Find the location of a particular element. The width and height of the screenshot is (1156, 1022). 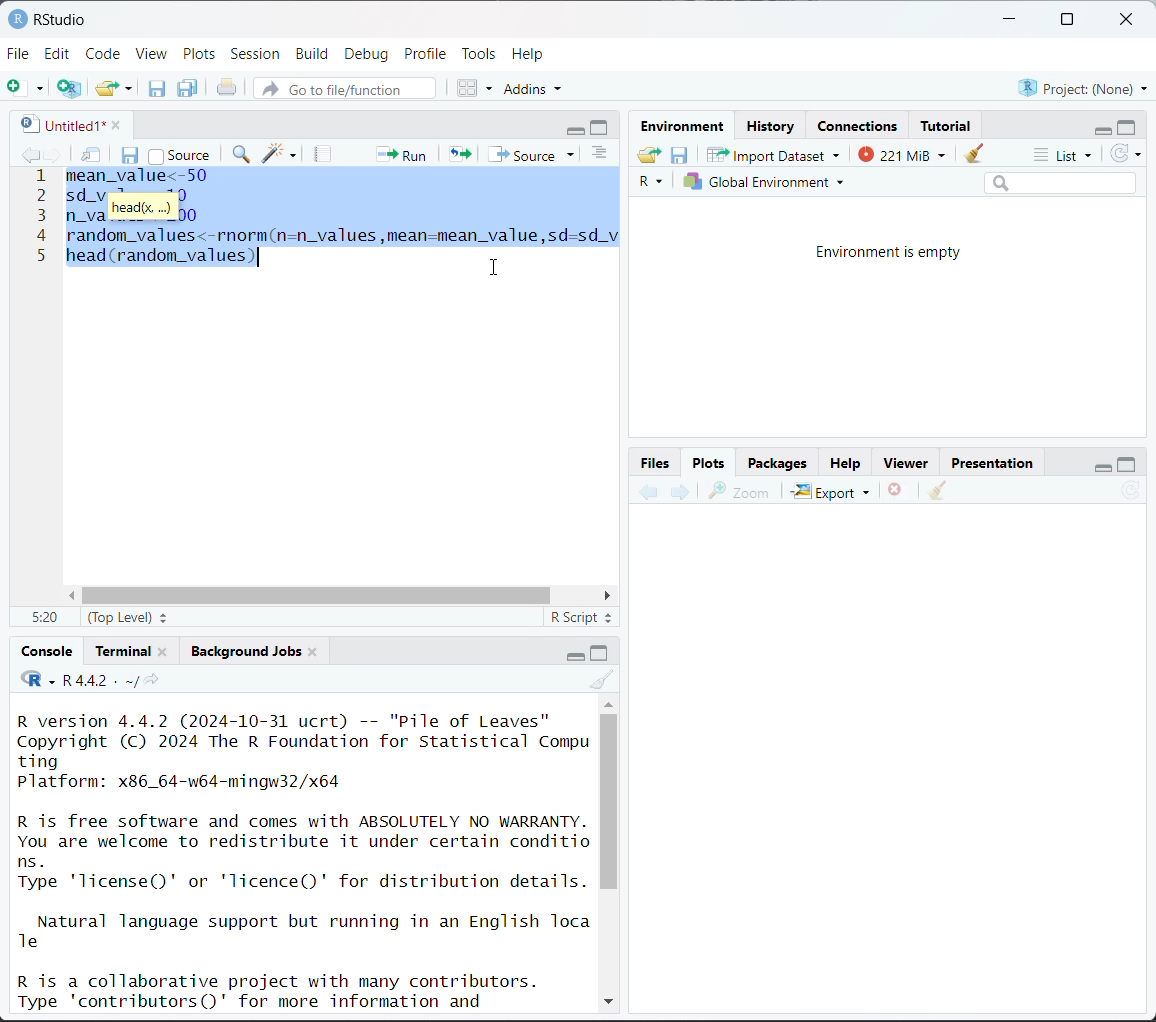

Terminal is located at coordinates (125, 648).